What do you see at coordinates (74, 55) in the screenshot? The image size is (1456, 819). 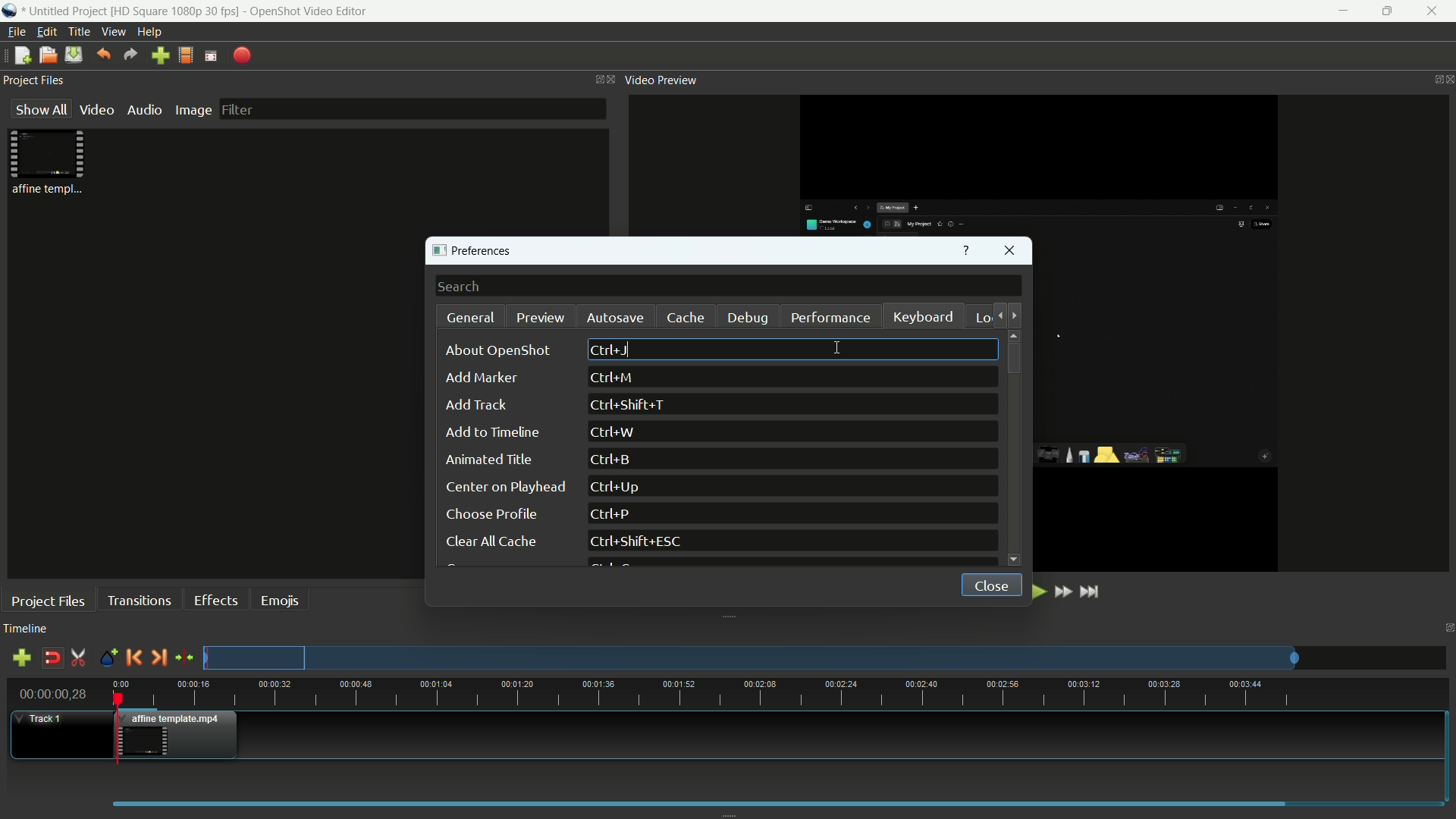 I see `save file` at bounding box center [74, 55].